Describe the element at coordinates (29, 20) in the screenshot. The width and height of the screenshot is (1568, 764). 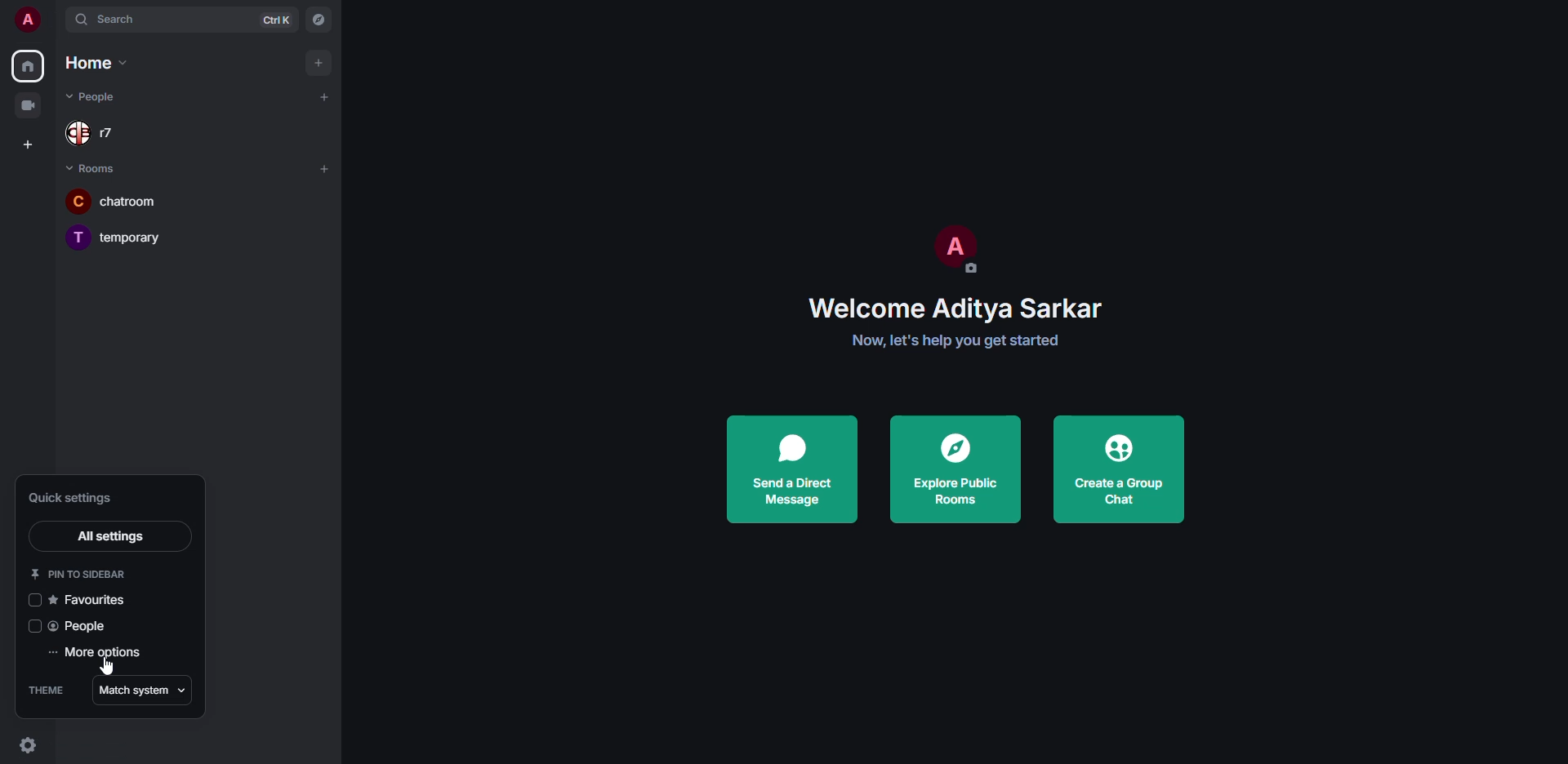
I see `profile` at that location.